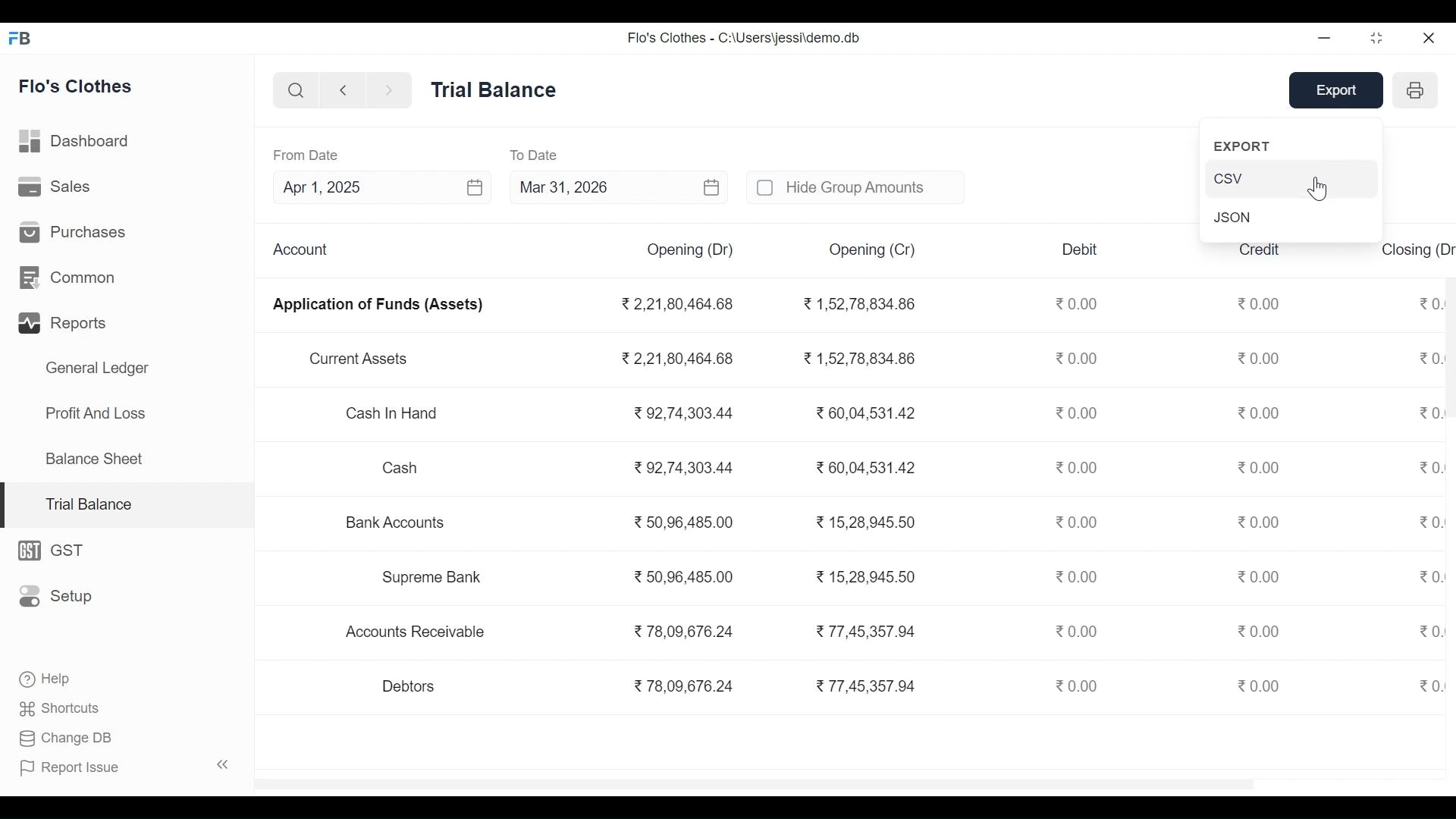 The width and height of the screenshot is (1456, 819). Describe the element at coordinates (21, 39) in the screenshot. I see `Frappe Books Desktop icon` at that location.